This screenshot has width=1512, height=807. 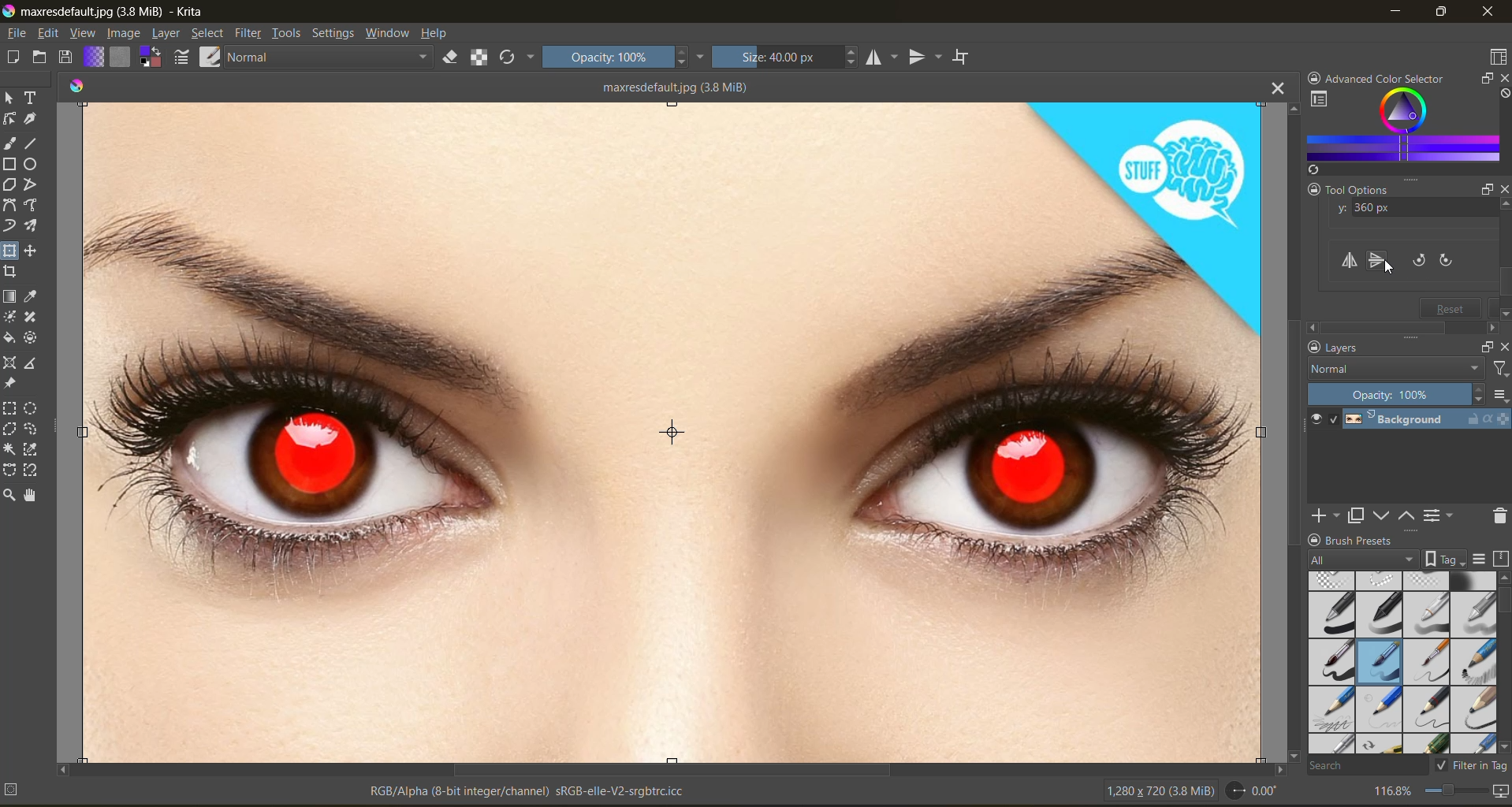 What do you see at coordinates (289, 33) in the screenshot?
I see `tools` at bounding box center [289, 33].